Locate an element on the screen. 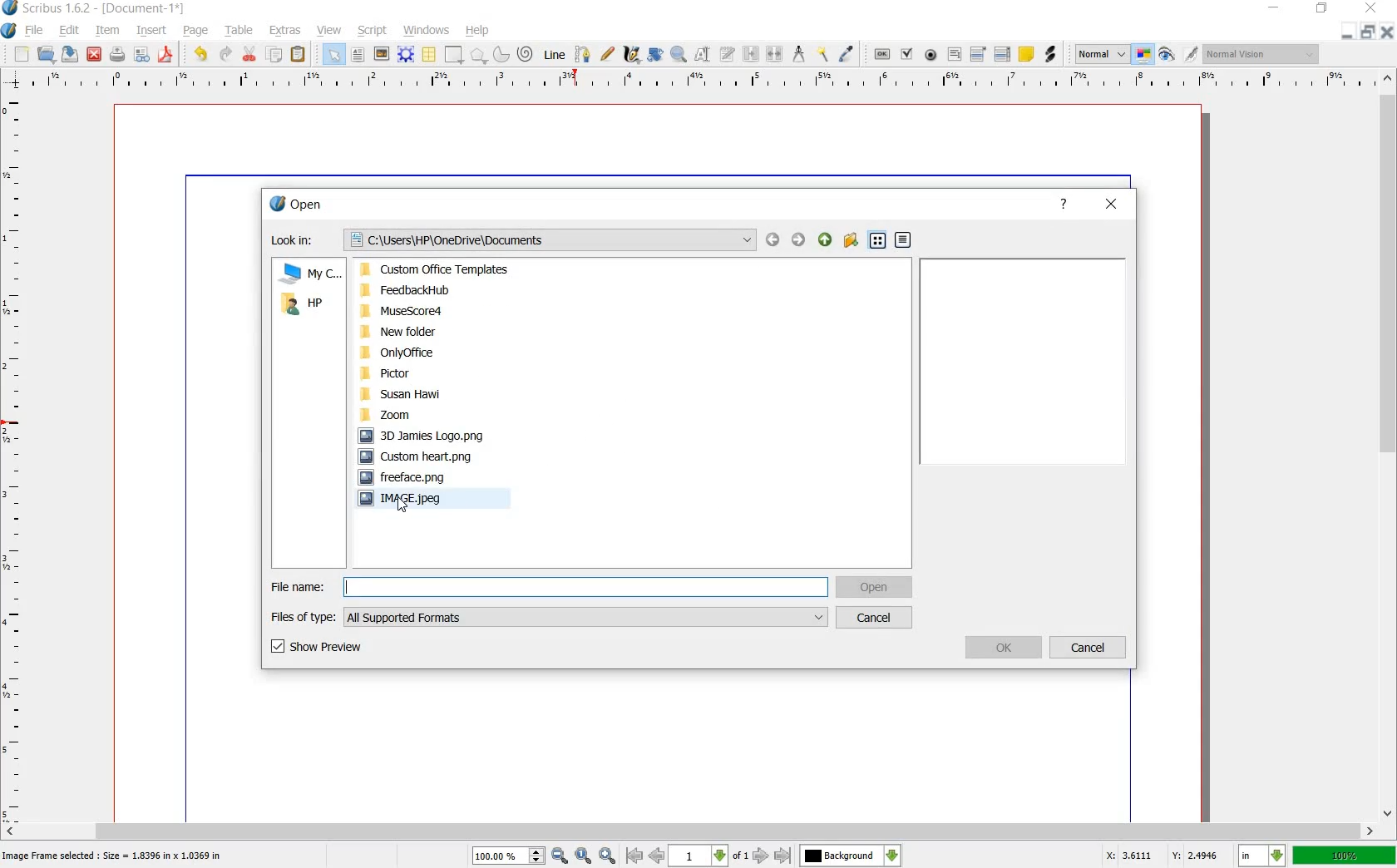  text annotation is located at coordinates (1027, 55).